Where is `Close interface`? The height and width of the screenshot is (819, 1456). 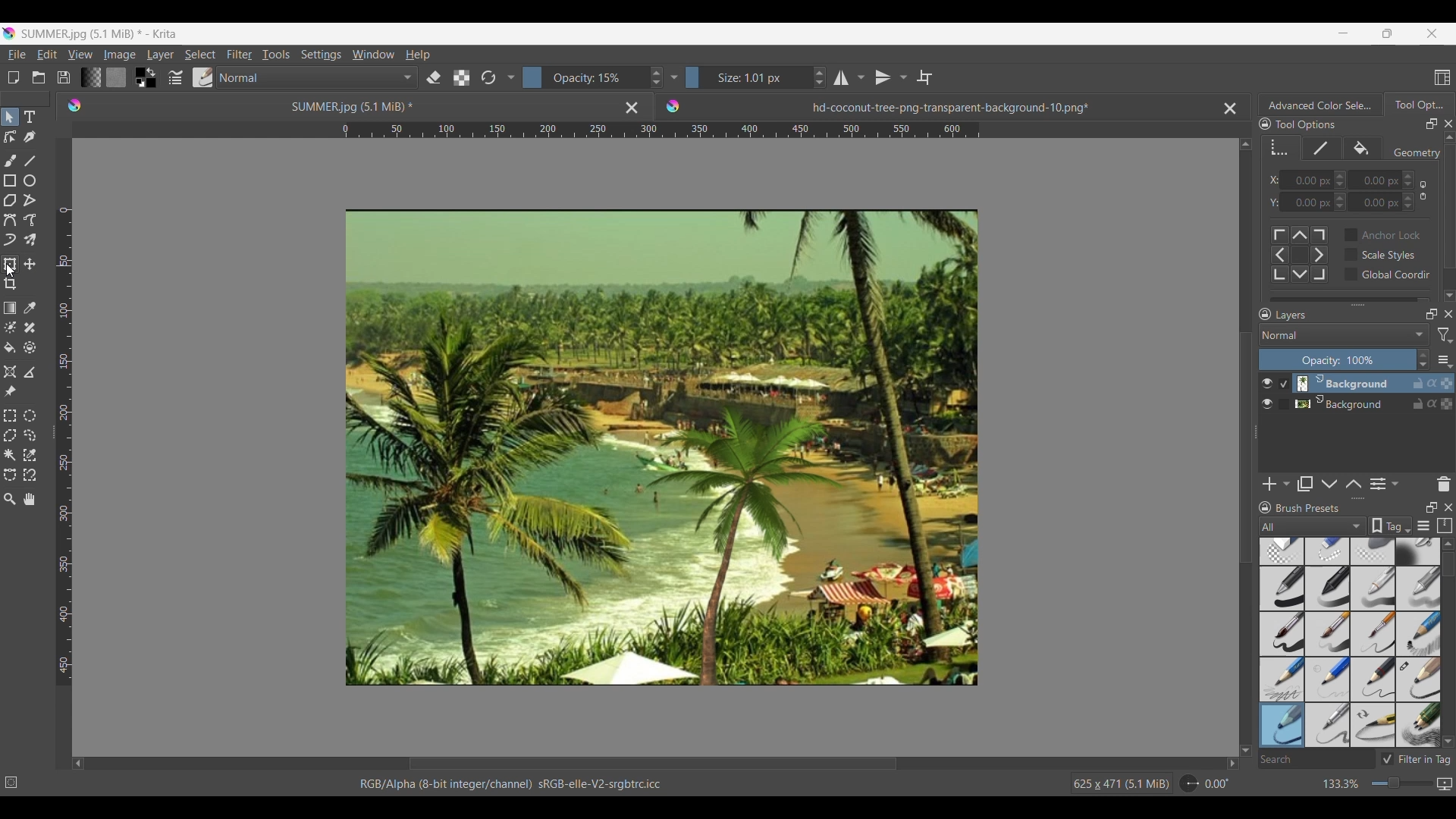 Close interface is located at coordinates (1432, 33).